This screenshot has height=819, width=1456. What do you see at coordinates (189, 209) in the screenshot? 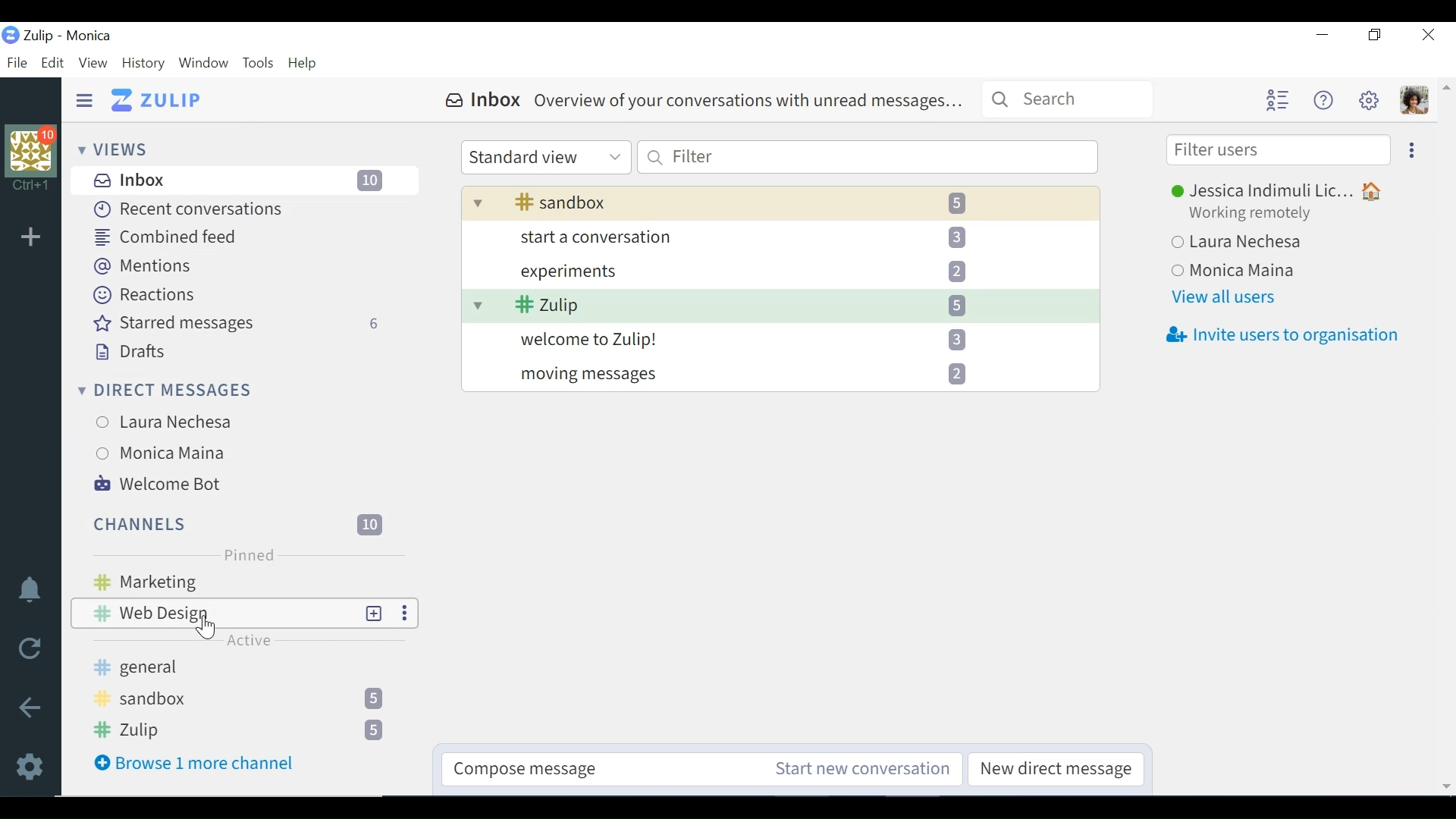
I see `Recent conversations` at bounding box center [189, 209].